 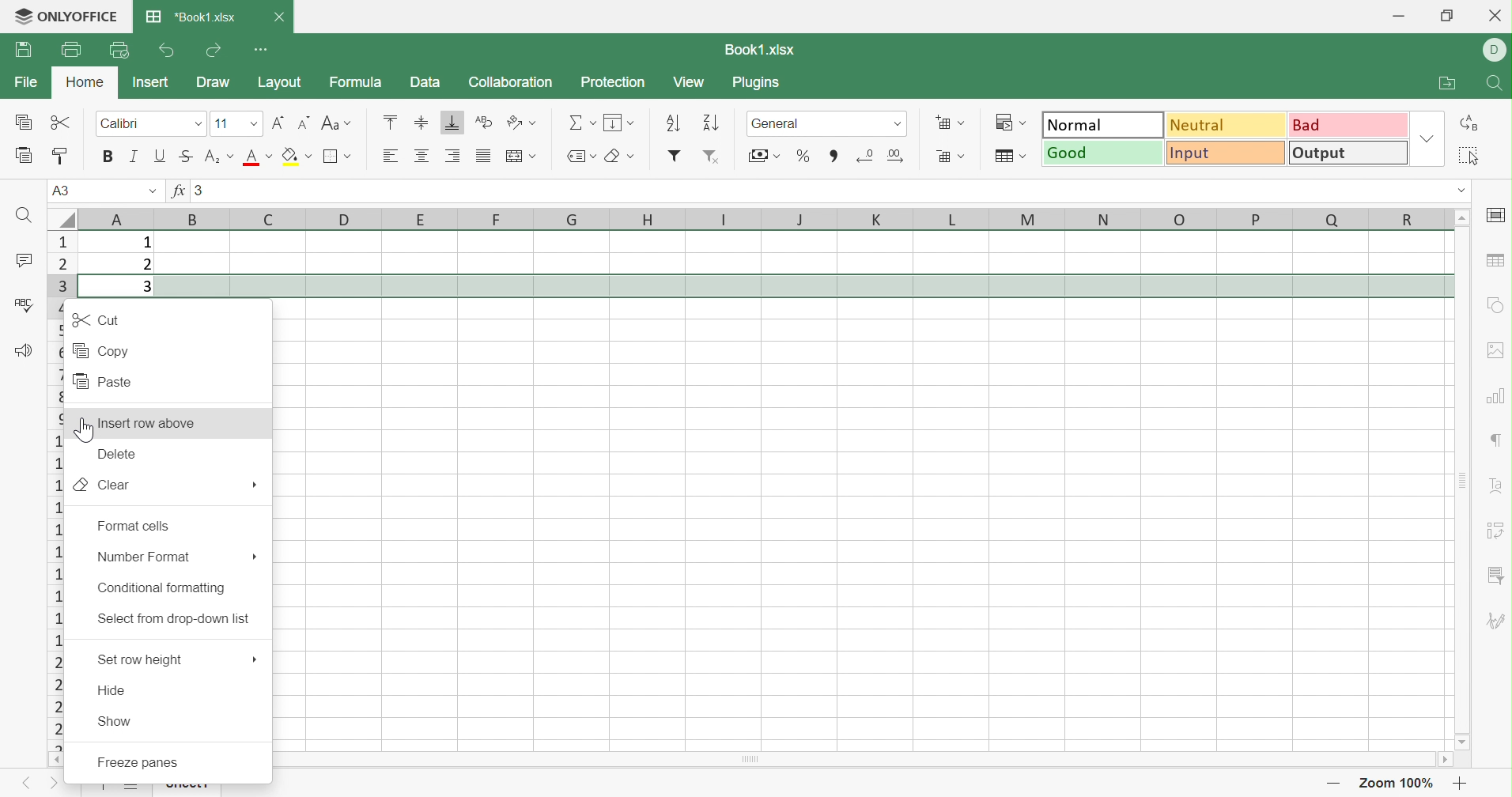 What do you see at coordinates (202, 191) in the screenshot?
I see `3` at bounding box center [202, 191].